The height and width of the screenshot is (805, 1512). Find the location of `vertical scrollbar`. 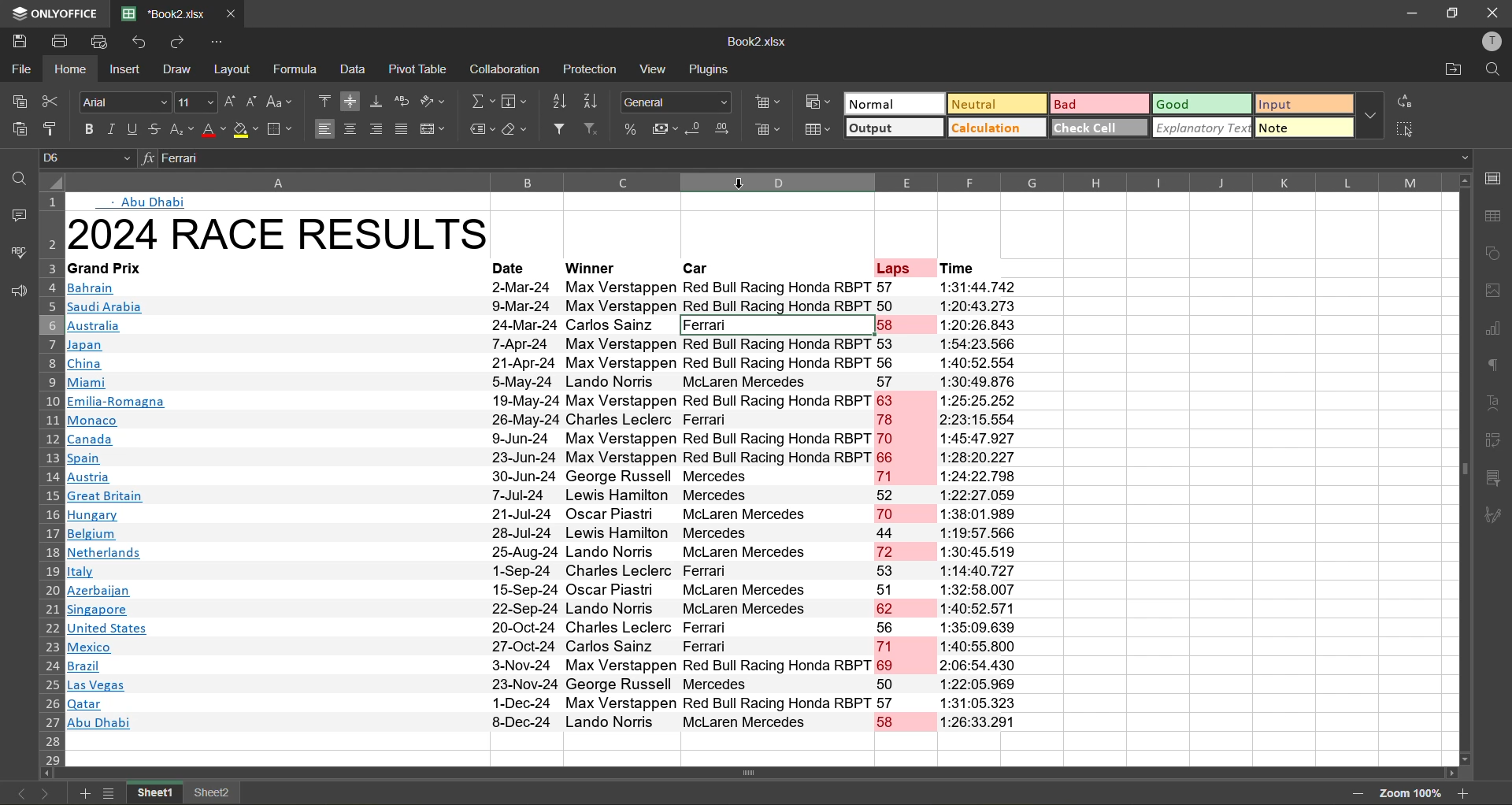

vertical scrollbar is located at coordinates (1463, 469).